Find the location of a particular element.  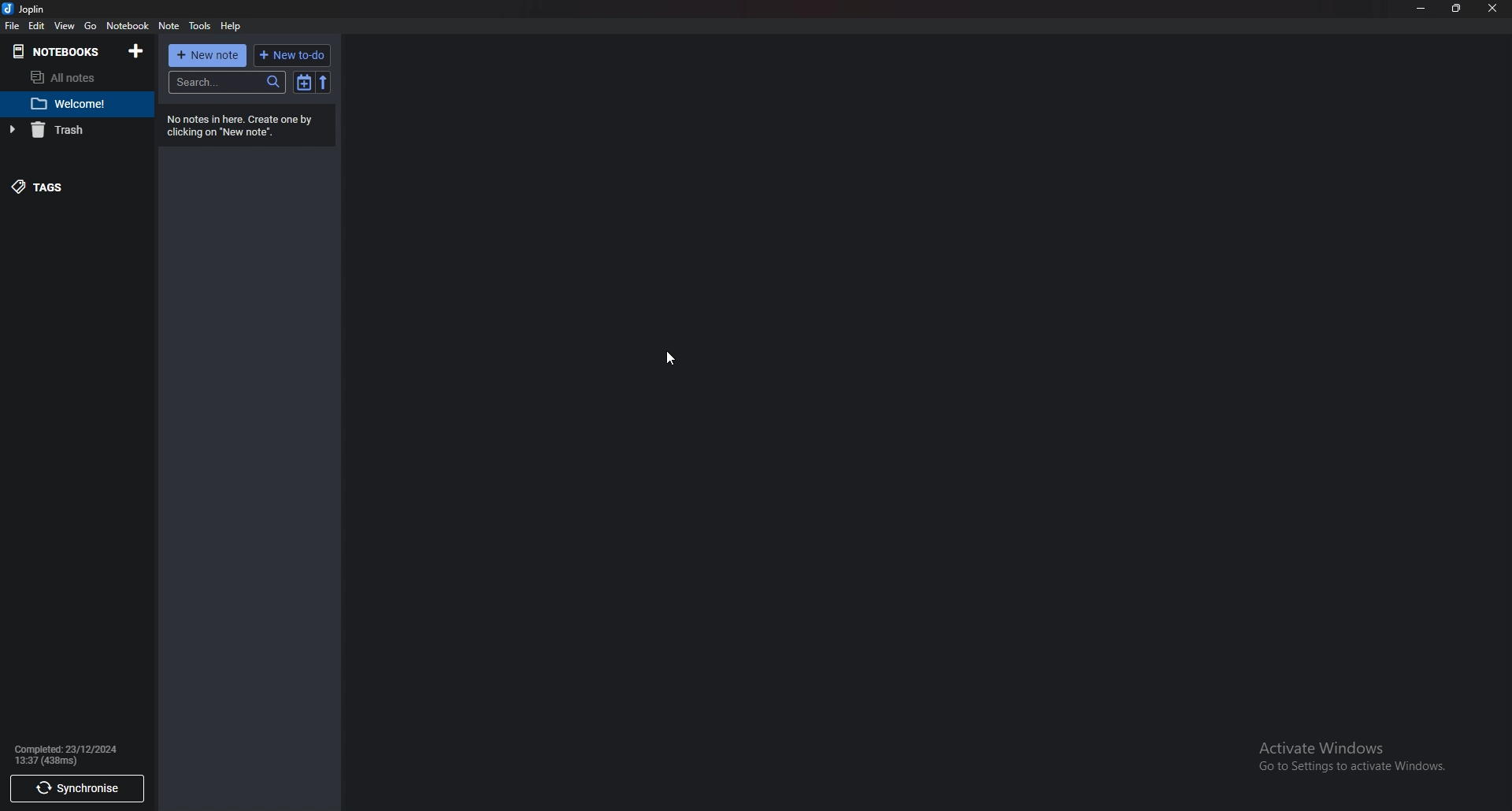

Info is located at coordinates (72, 754).